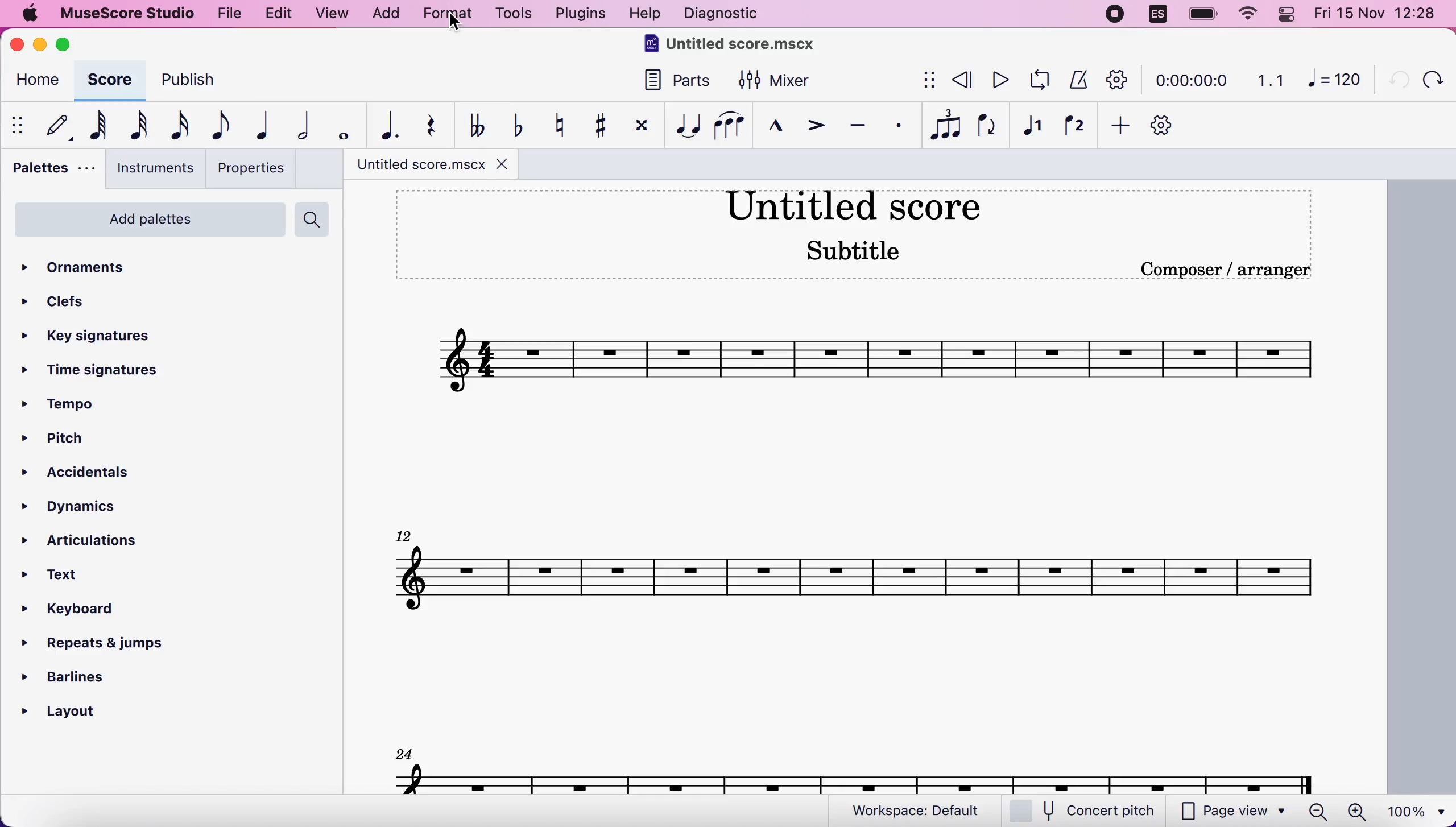 The width and height of the screenshot is (1456, 827). Describe the element at coordinates (315, 220) in the screenshot. I see `search` at that location.